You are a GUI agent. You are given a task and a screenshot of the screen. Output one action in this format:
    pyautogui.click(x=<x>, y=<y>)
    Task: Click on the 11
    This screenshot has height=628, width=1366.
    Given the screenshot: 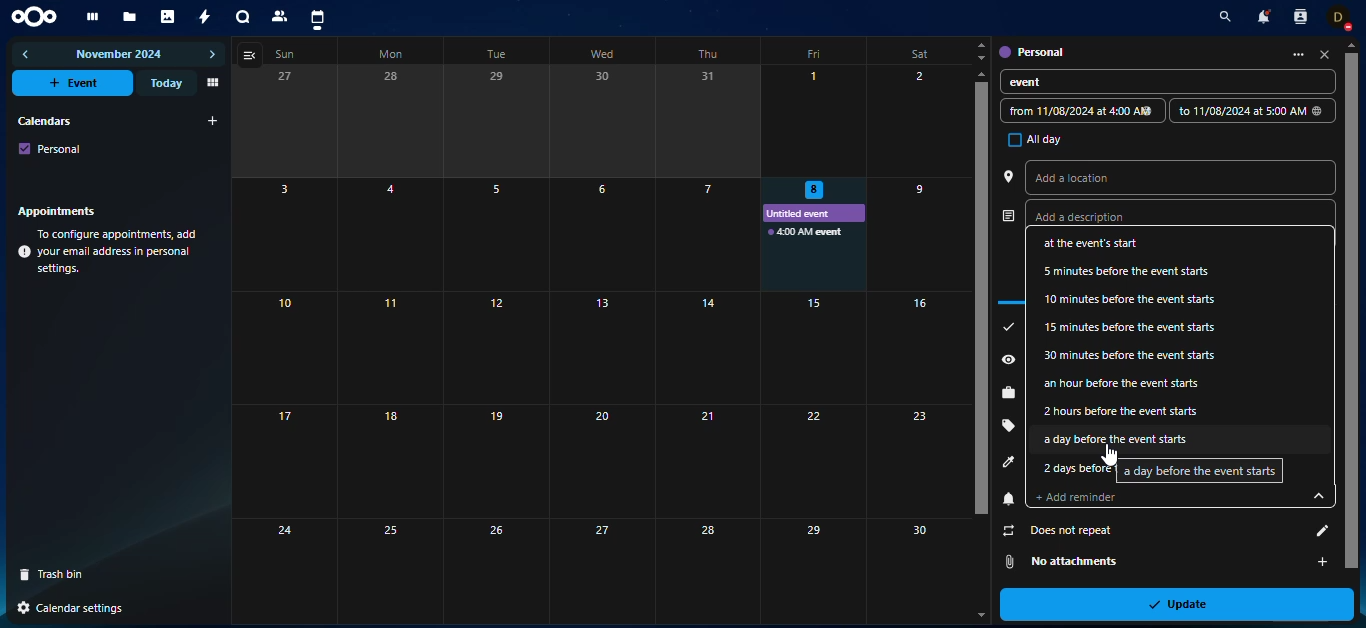 What is the action you would take?
    pyautogui.click(x=387, y=348)
    